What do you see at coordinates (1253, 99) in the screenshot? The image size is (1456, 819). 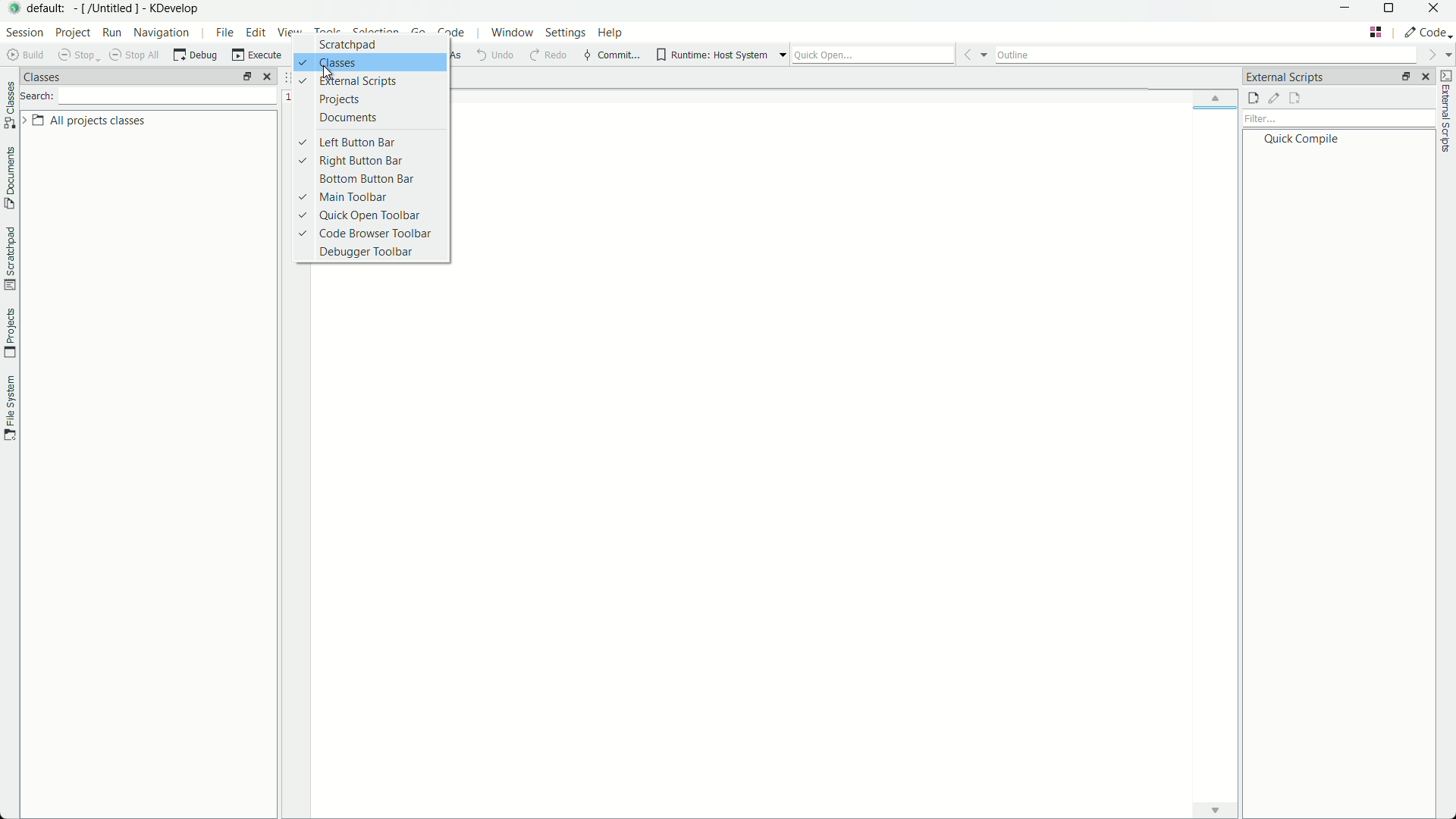 I see `add external script` at bounding box center [1253, 99].